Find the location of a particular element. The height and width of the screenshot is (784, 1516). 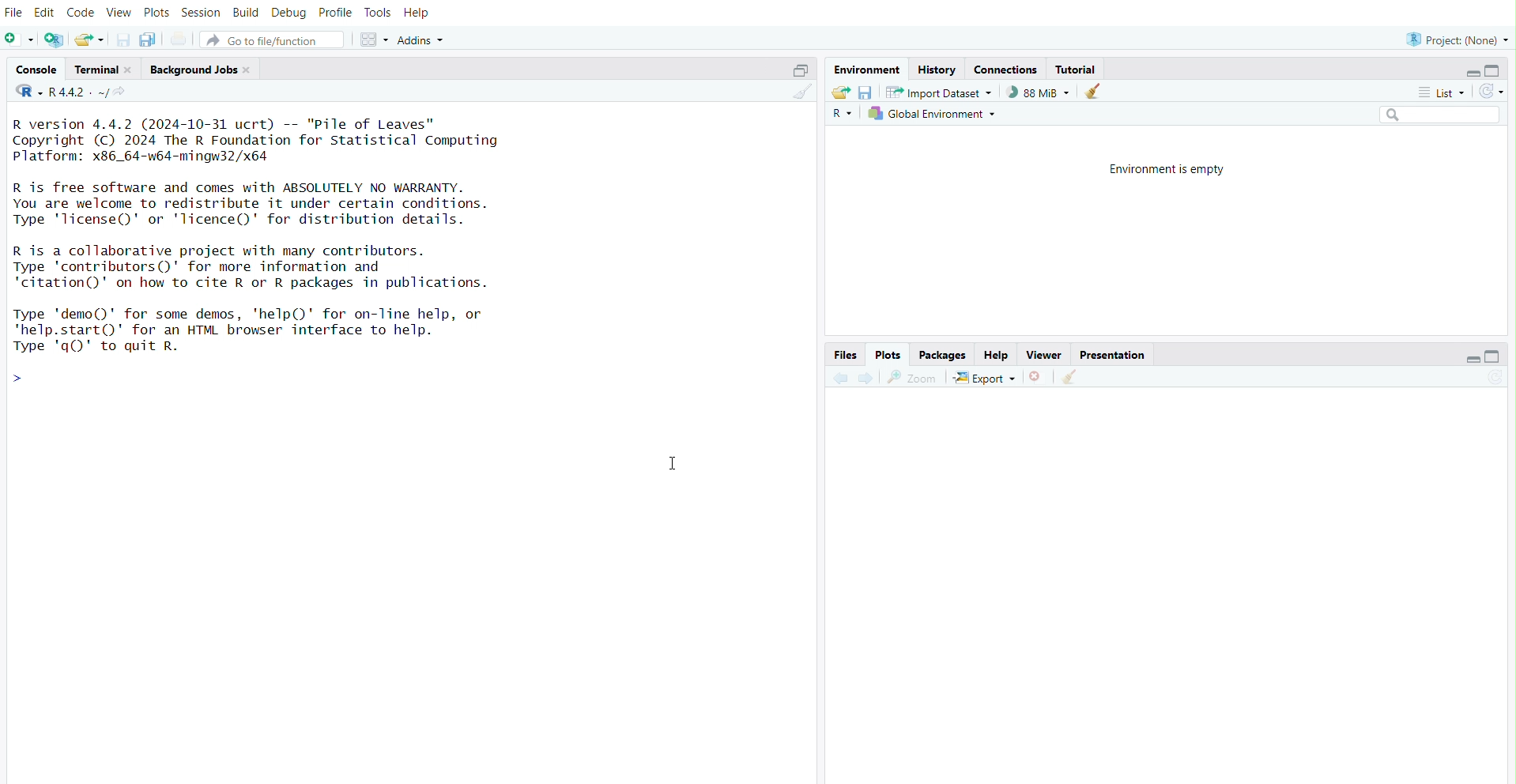

build is located at coordinates (248, 10).